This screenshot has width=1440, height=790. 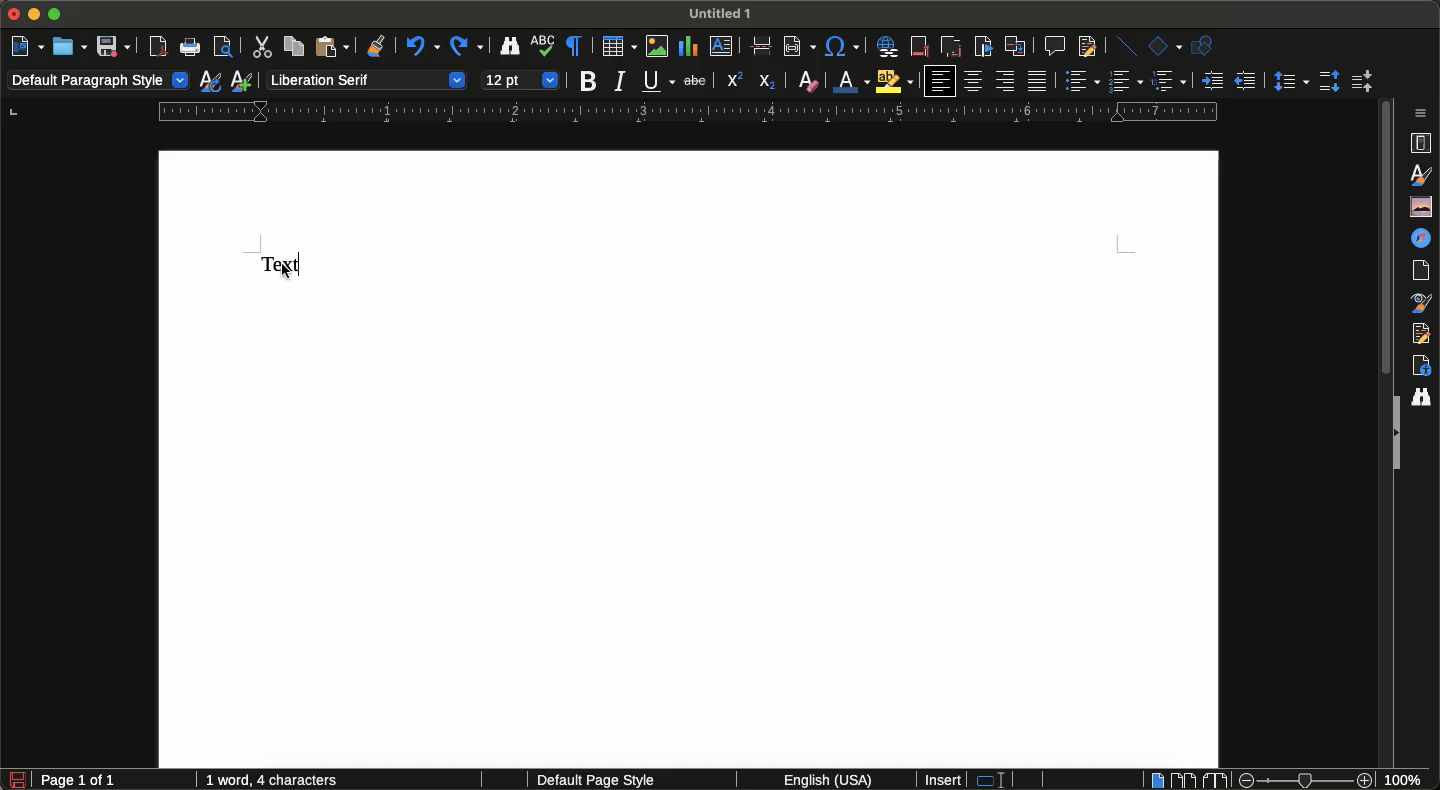 I want to click on Scroll, so click(x=1384, y=243).